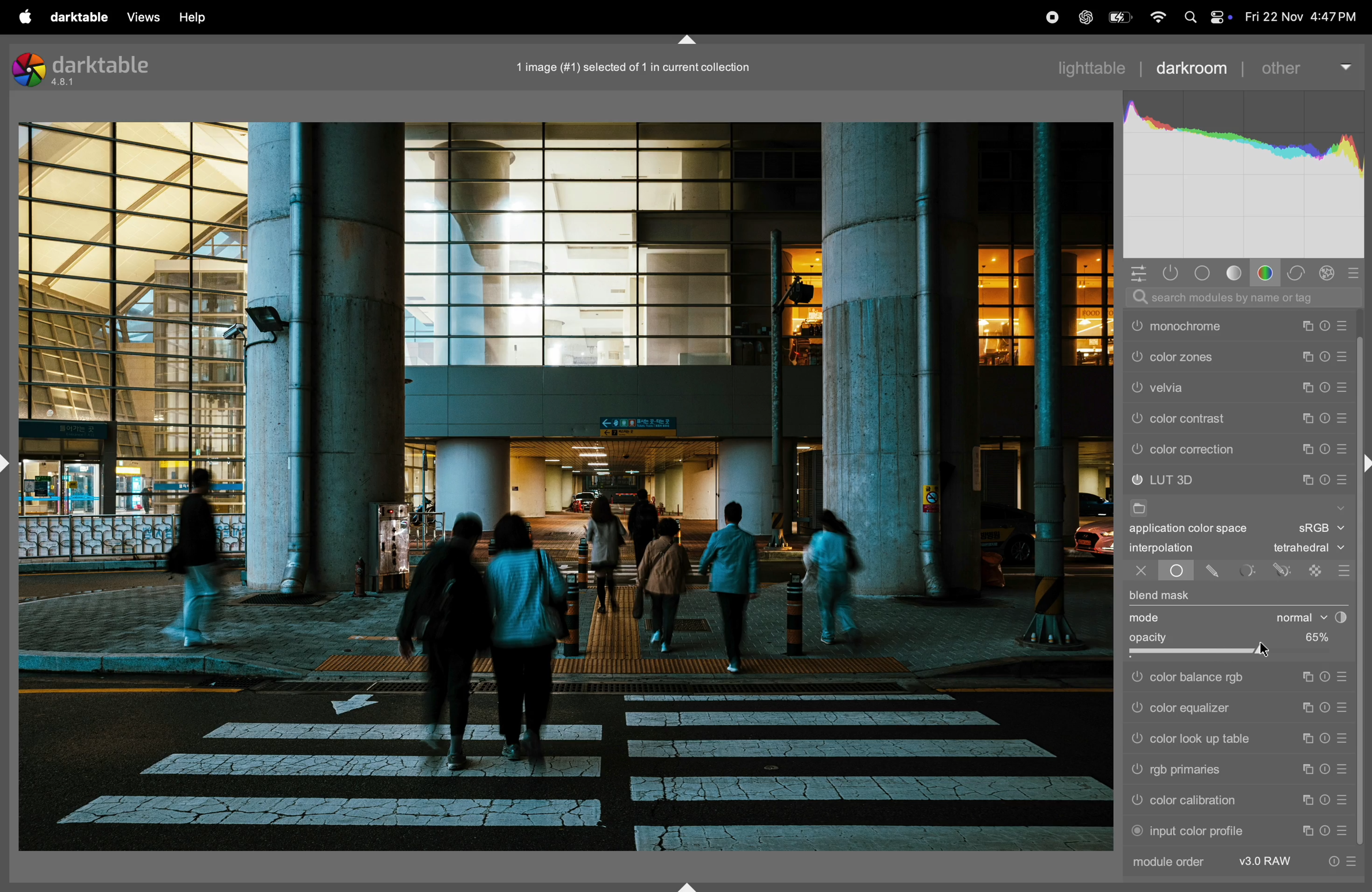 This screenshot has height=892, width=1372. Describe the element at coordinates (1343, 568) in the screenshot. I see `blending options` at that location.